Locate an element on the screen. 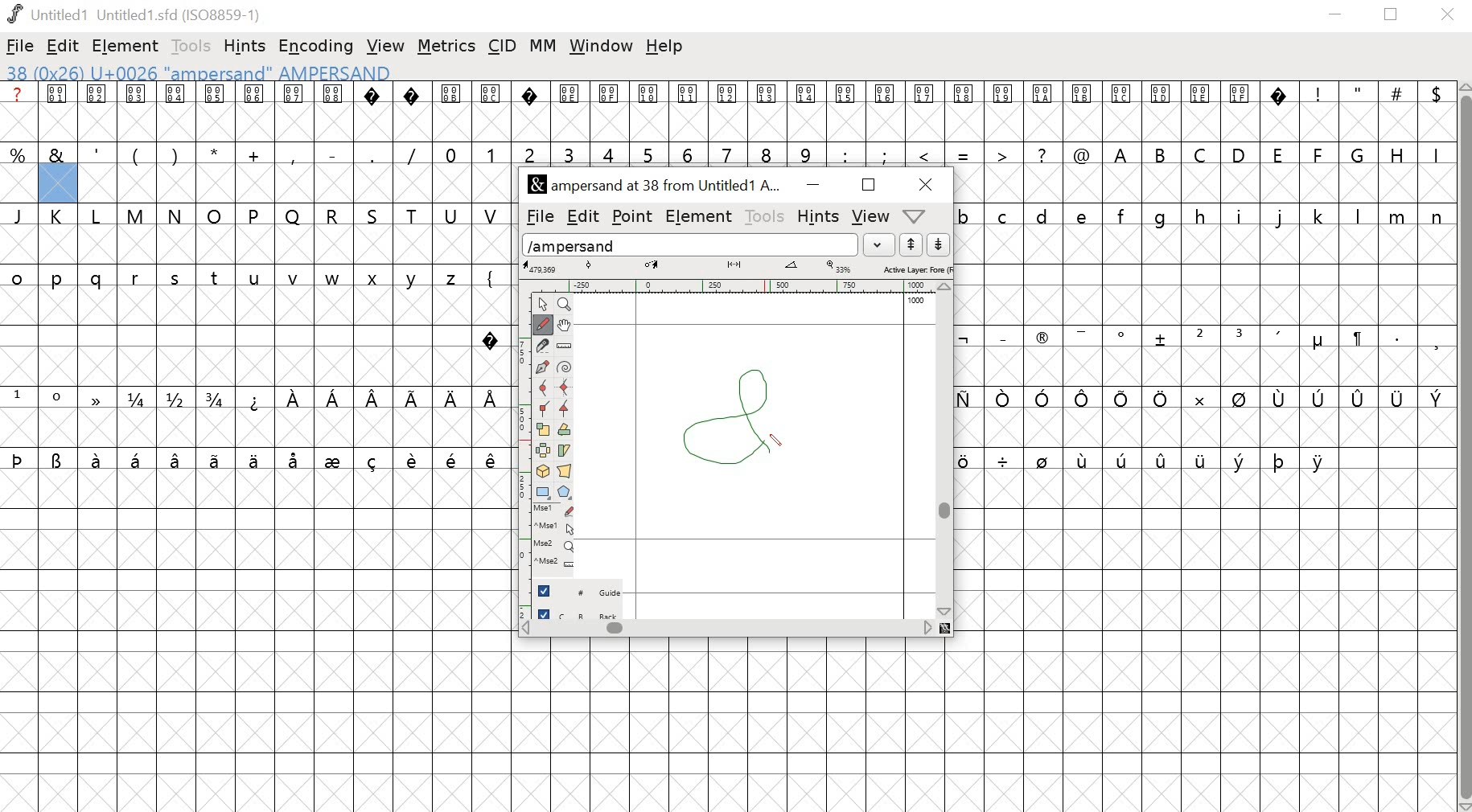 The image size is (1472, 812). ^Mse1 is located at coordinates (556, 527).